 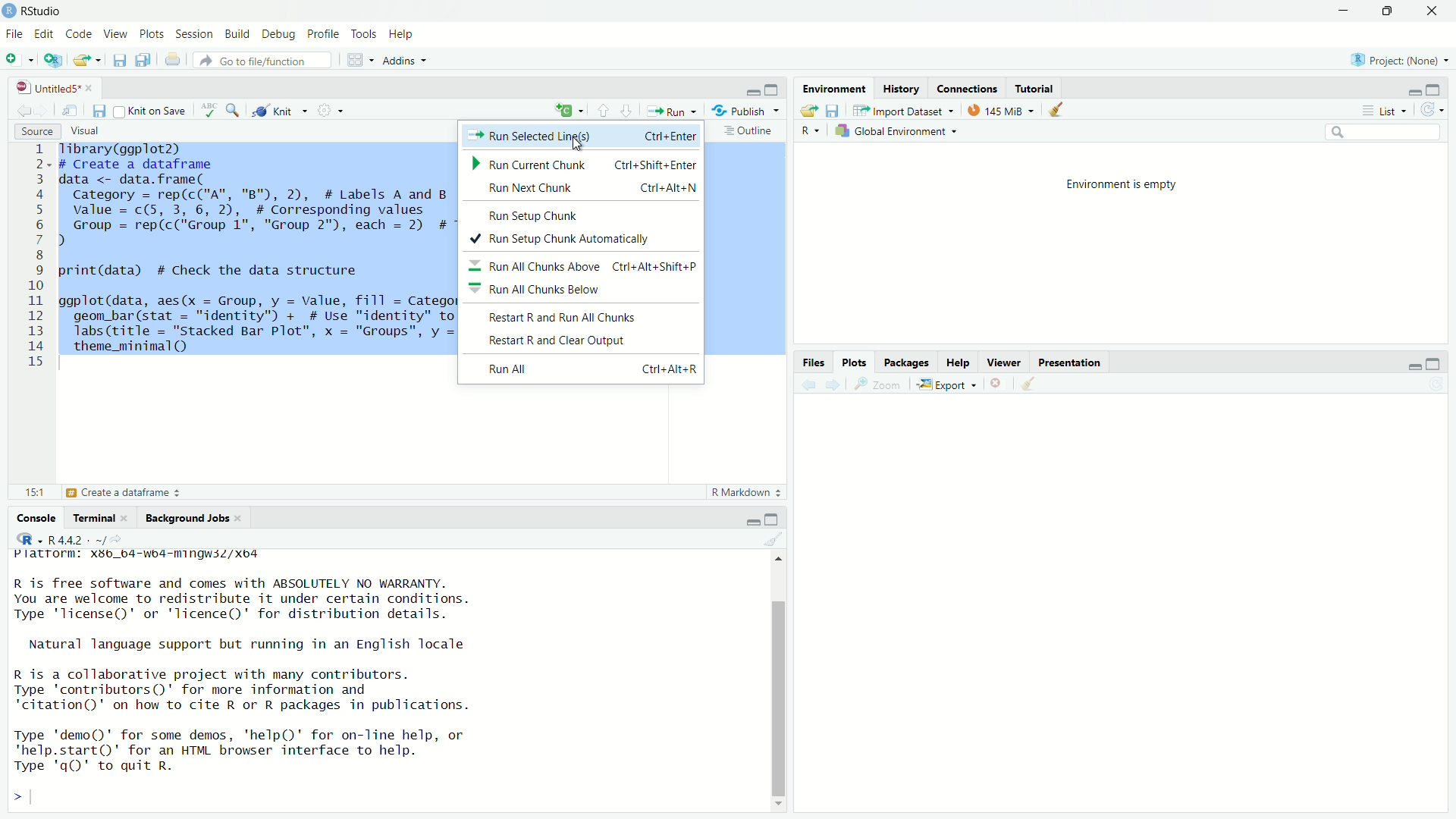 I want to click on Outline, so click(x=752, y=131).